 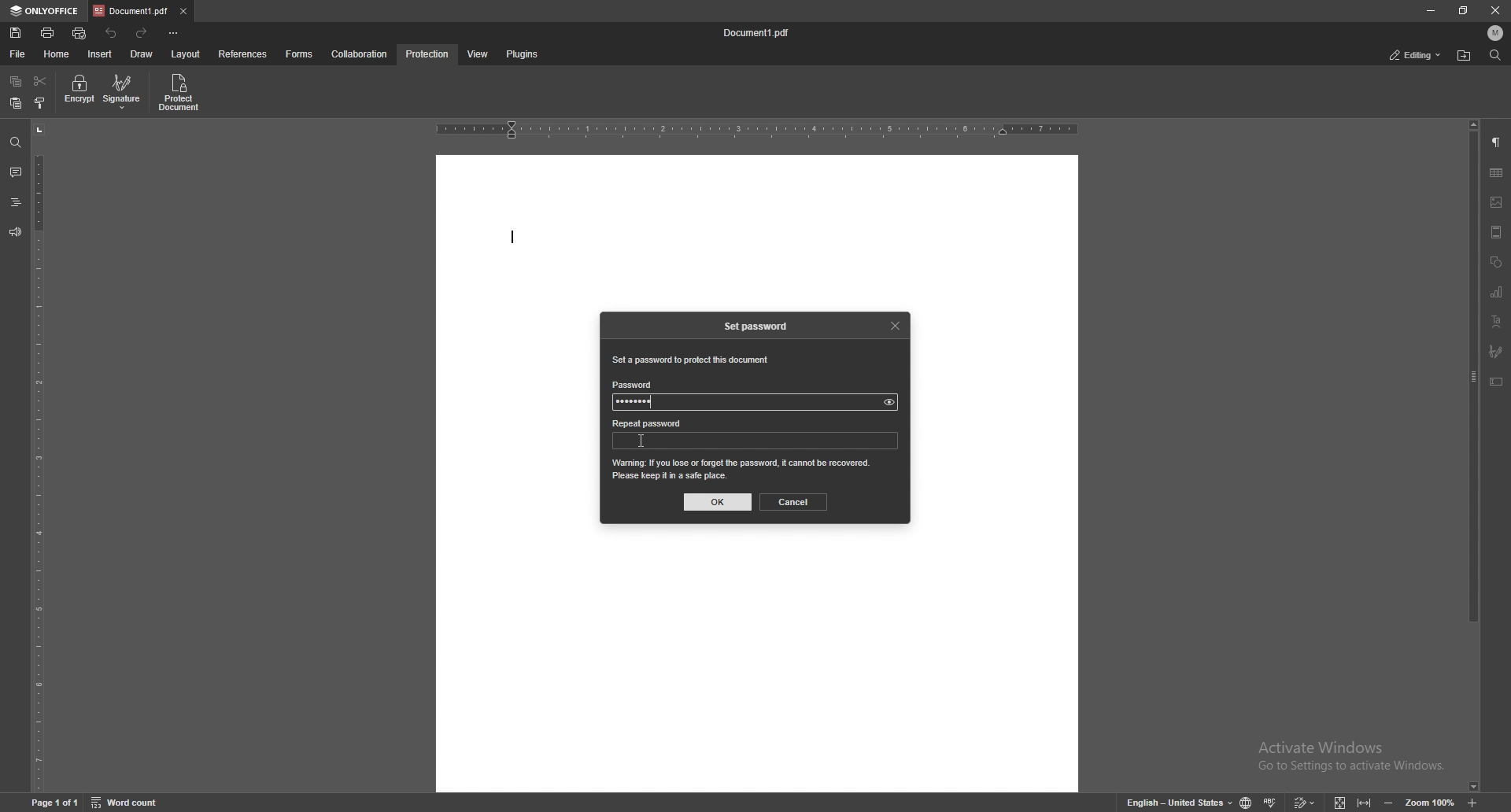 What do you see at coordinates (1474, 801) in the screenshot?
I see `zoom in` at bounding box center [1474, 801].